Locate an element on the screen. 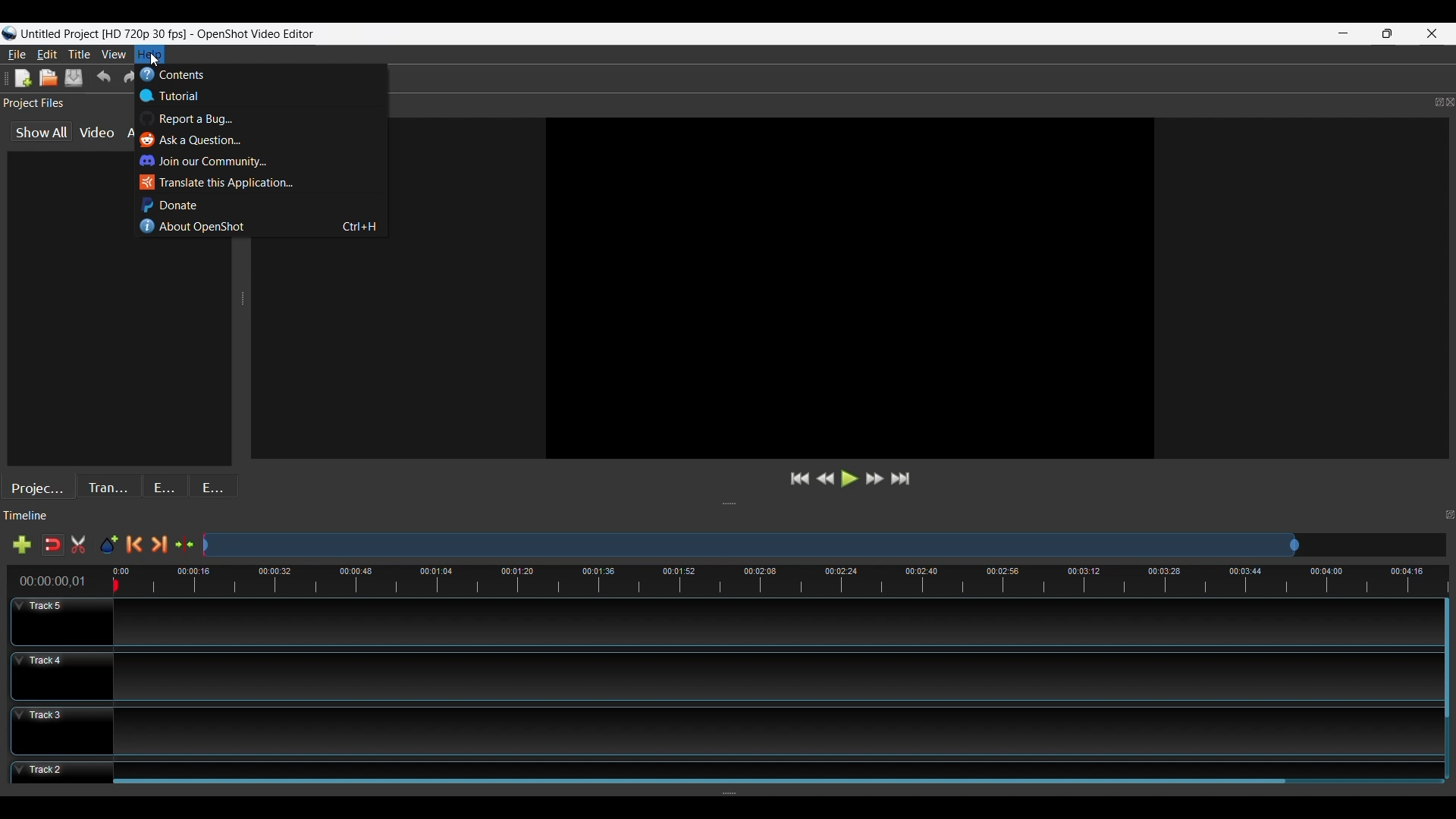 The height and width of the screenshot is (819, 1456). Openshot Desktop icon is located at coordinates (9, 31).